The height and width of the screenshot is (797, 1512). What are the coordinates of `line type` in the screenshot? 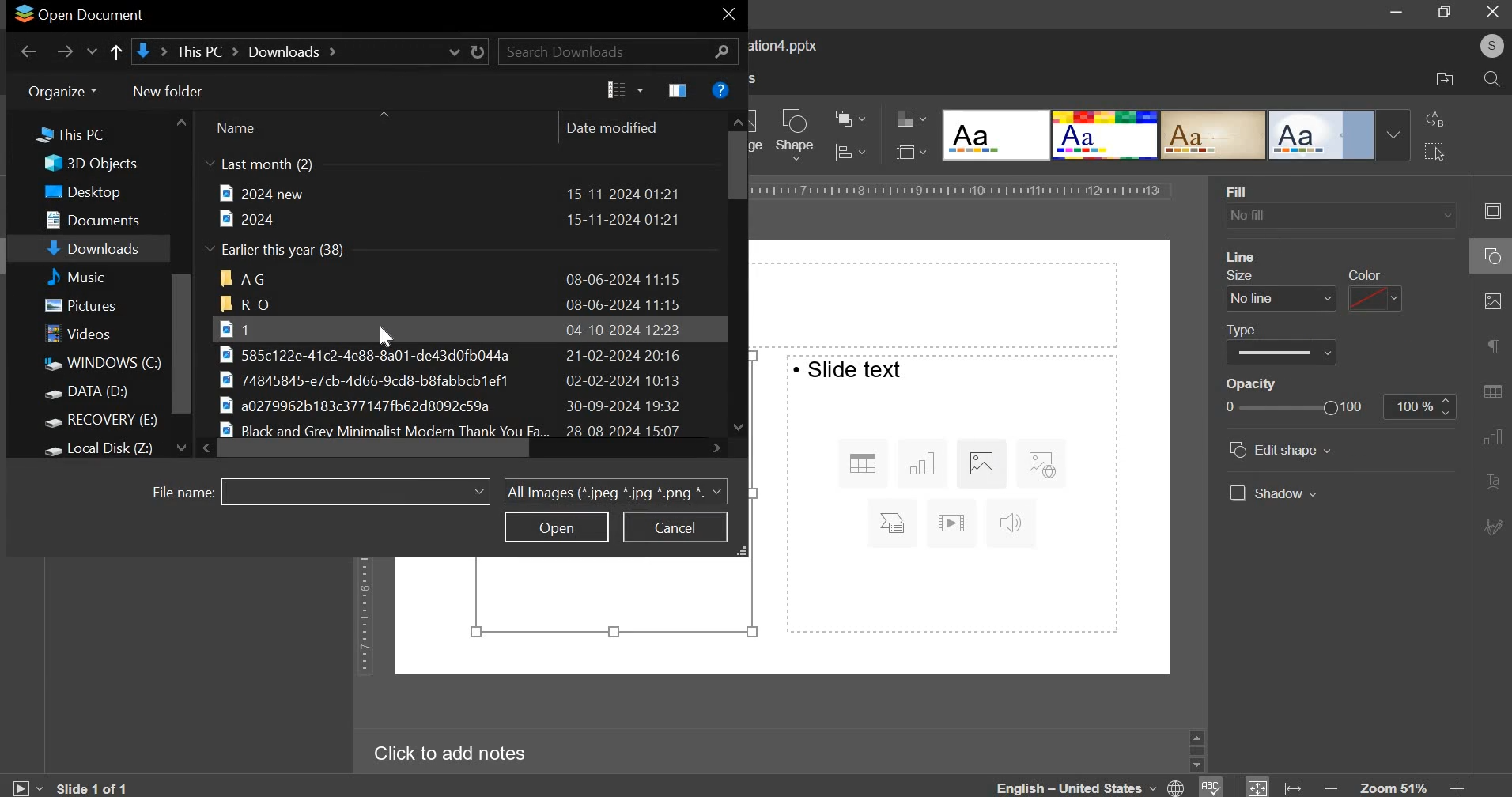 It's located at (1281, 351).